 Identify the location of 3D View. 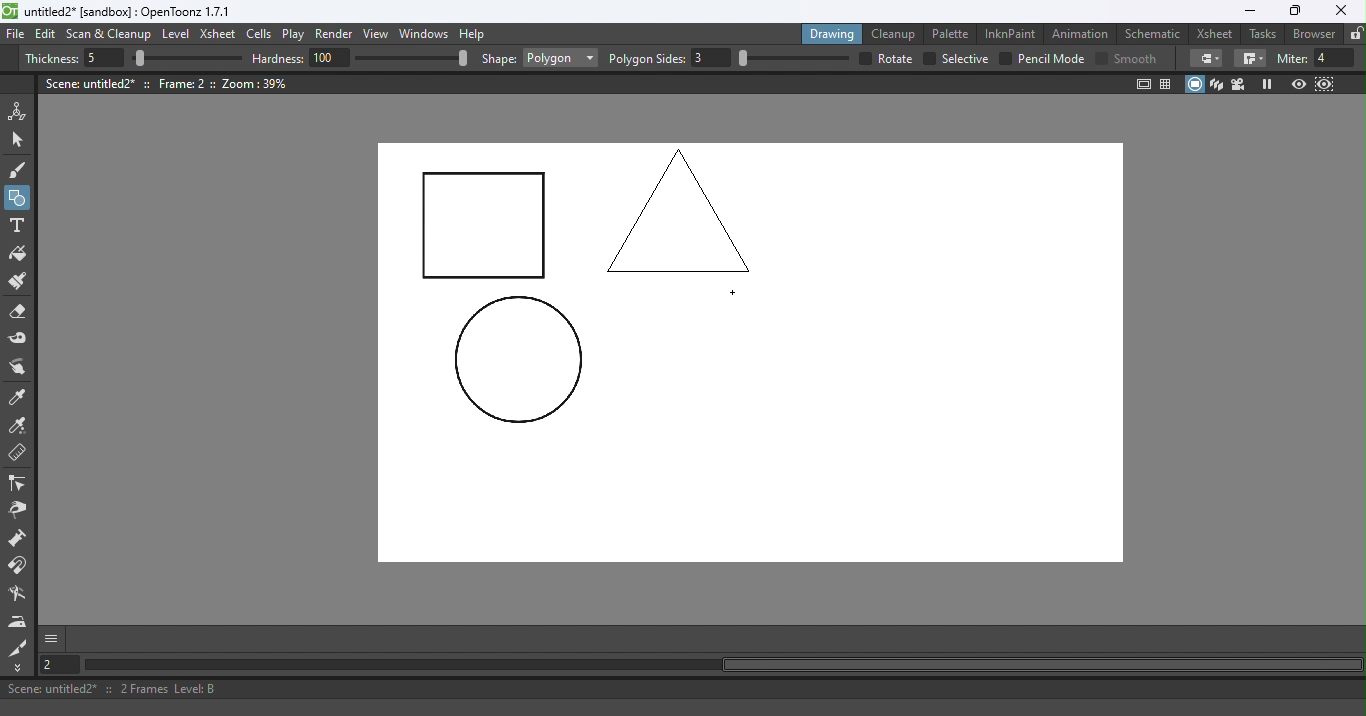
(1218, 84).